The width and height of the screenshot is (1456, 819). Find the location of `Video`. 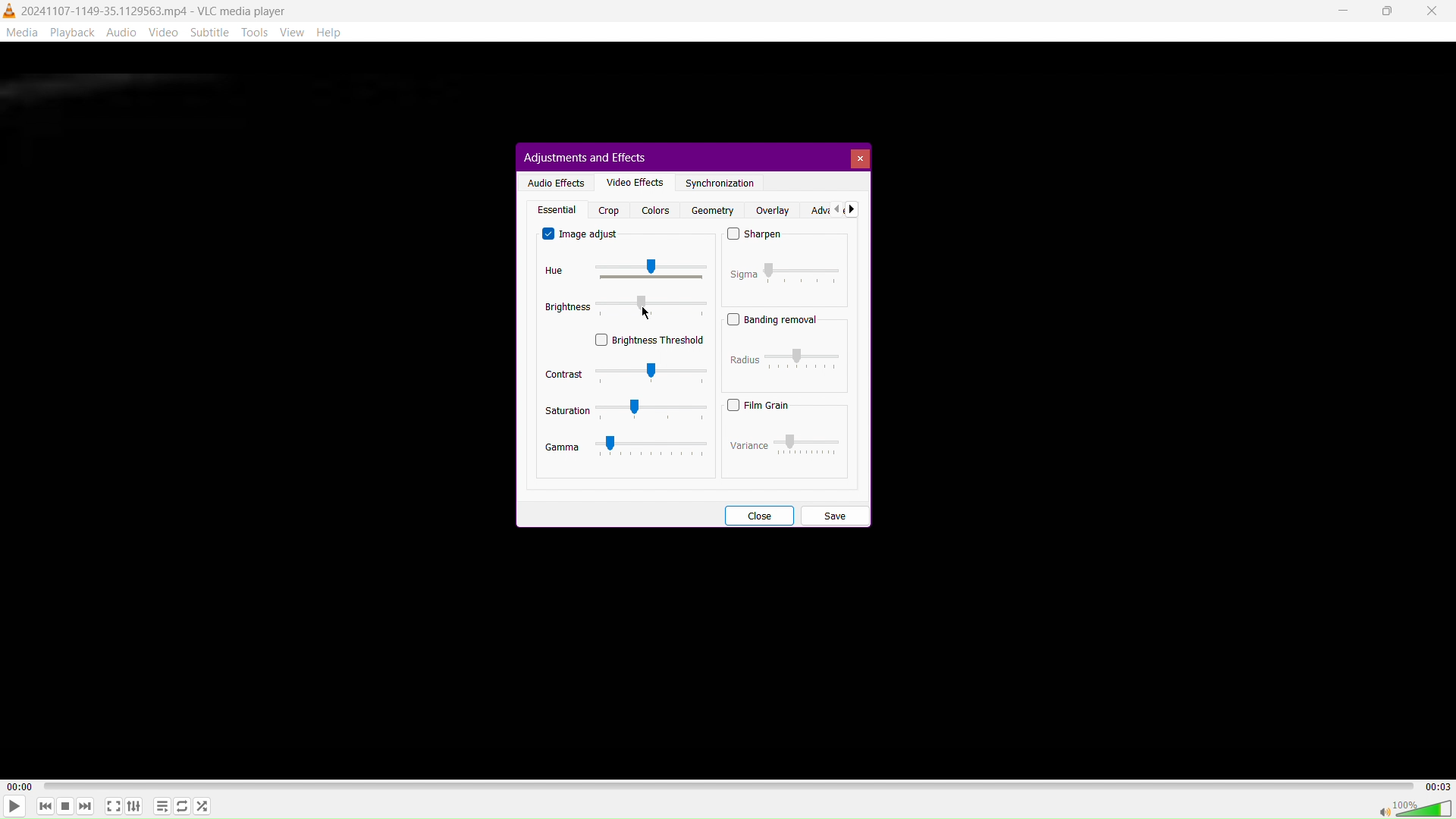

Video is located at coordinates (166, 32).